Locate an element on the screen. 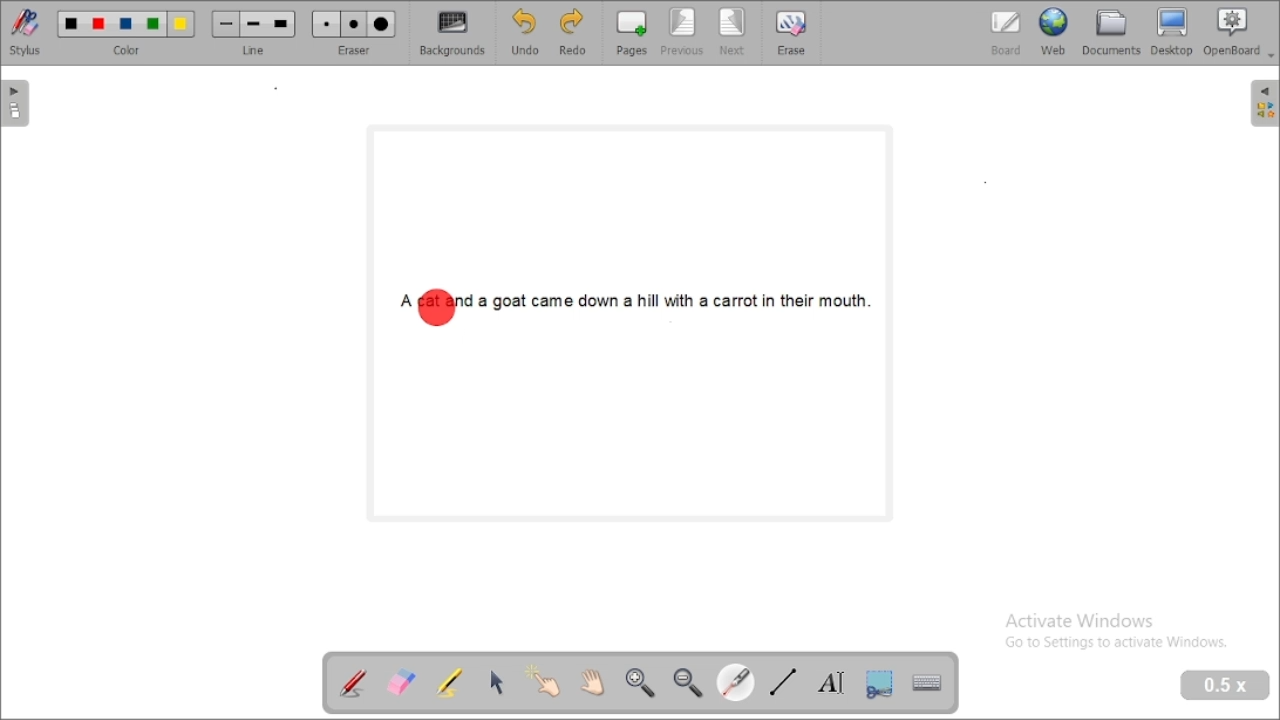  zoom in is located at coordinates (641, 684).